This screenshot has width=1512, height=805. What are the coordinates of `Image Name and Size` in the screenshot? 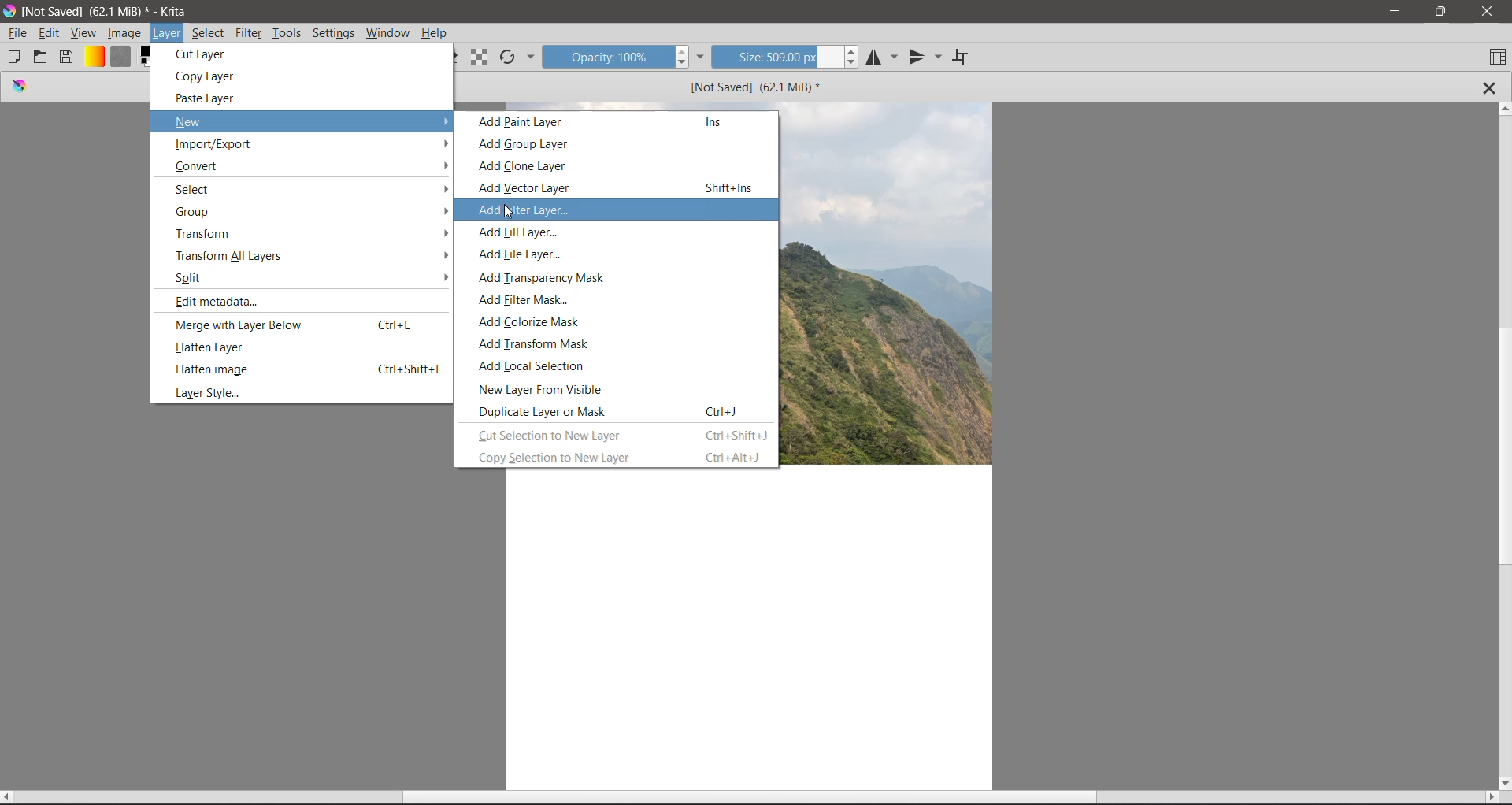 It's located at (753, 87).